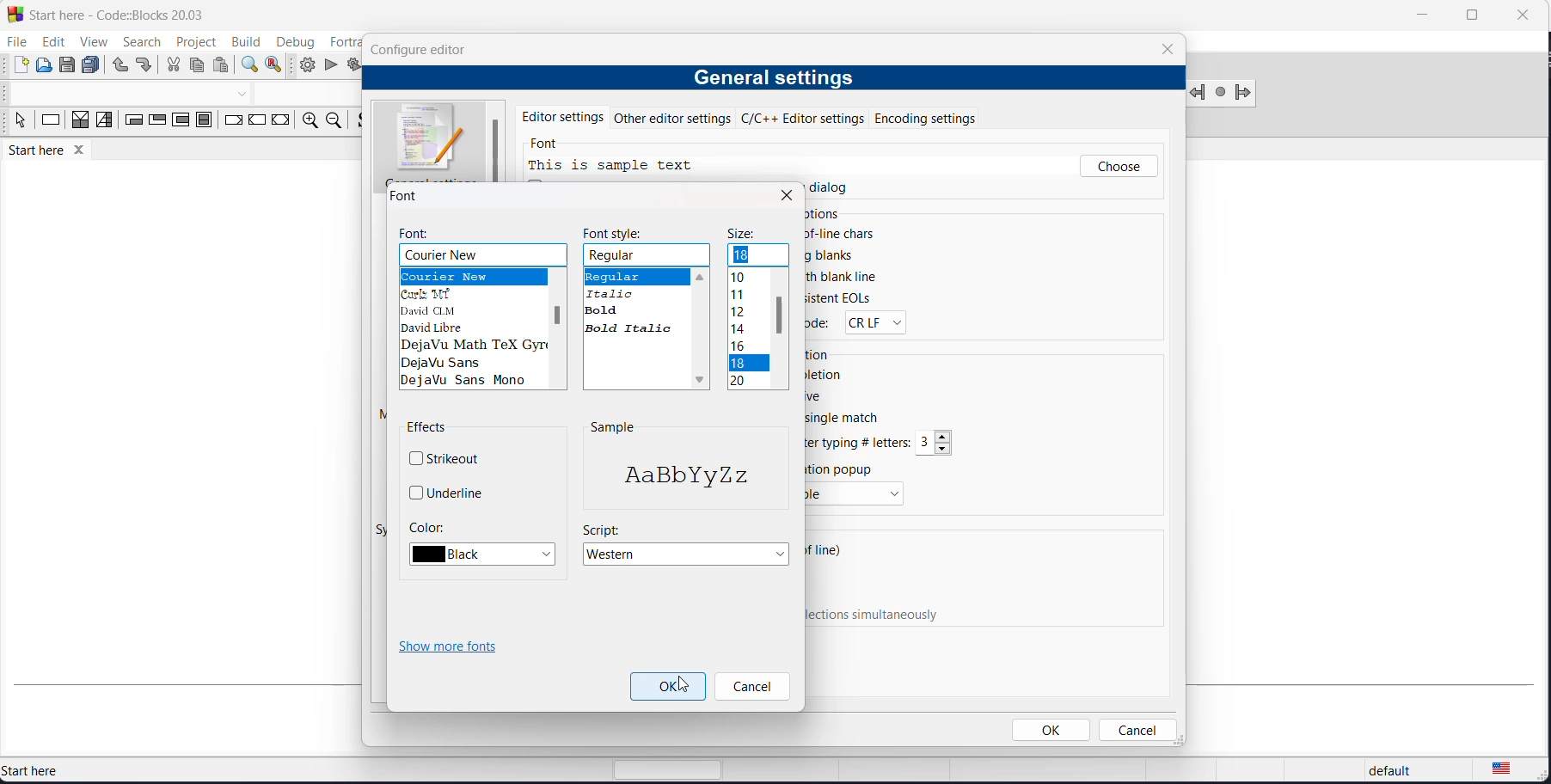 The width and height of the screenshot is (1551, 784). I want to click on selection brace competion, so click(610, 505).